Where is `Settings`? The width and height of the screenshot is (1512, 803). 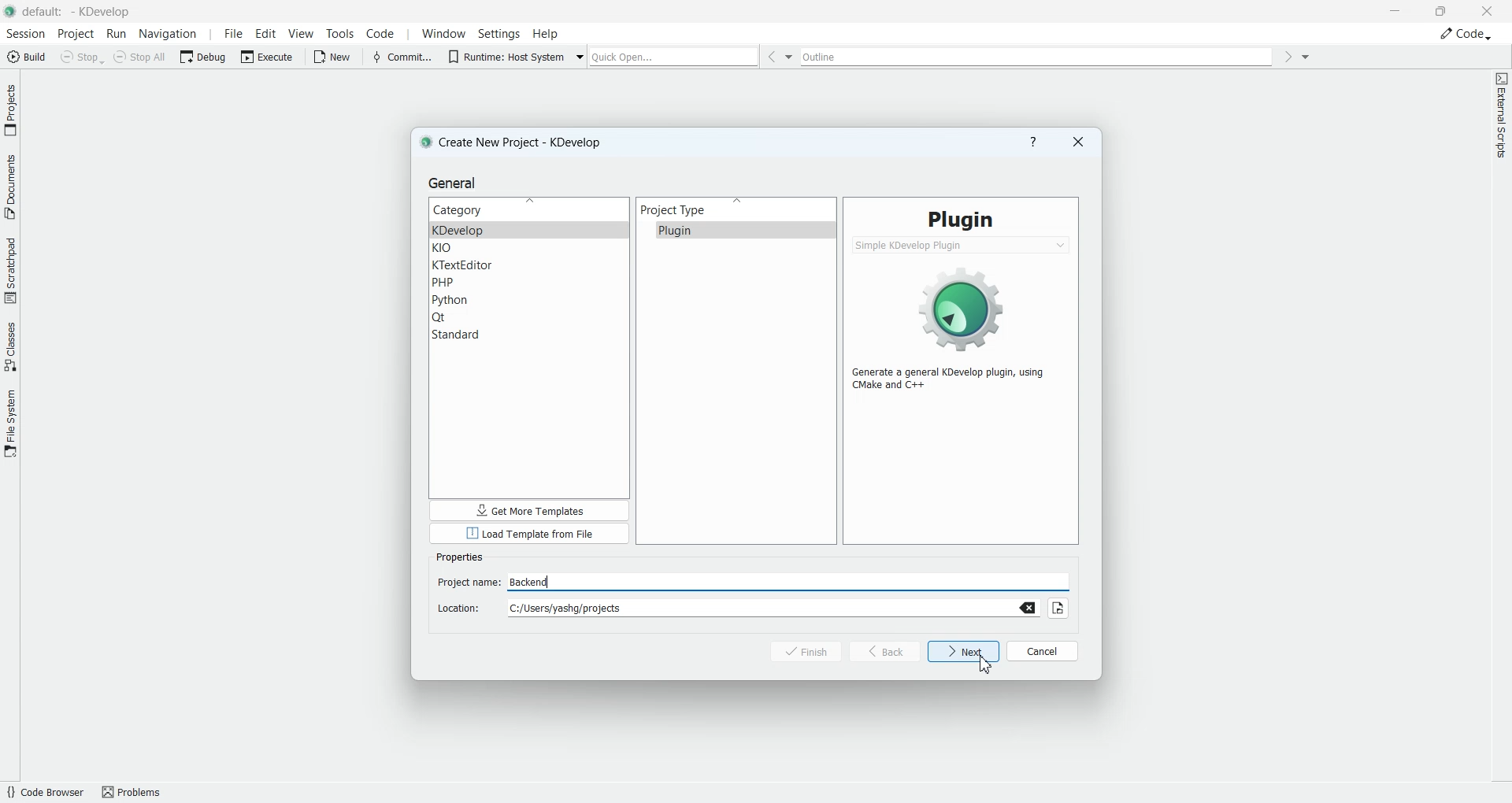
Settings is located at coordinates (499, 33).